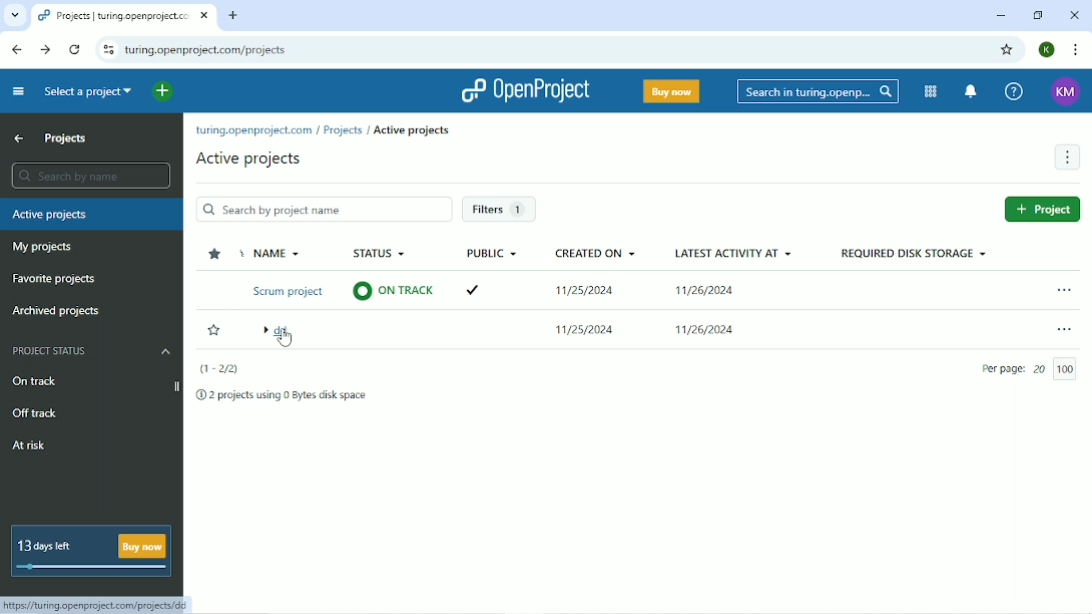 This screenshot has width=1092, height=614. I want to click on https://turing.openproject.com/projects/dd, so click(96, 604).